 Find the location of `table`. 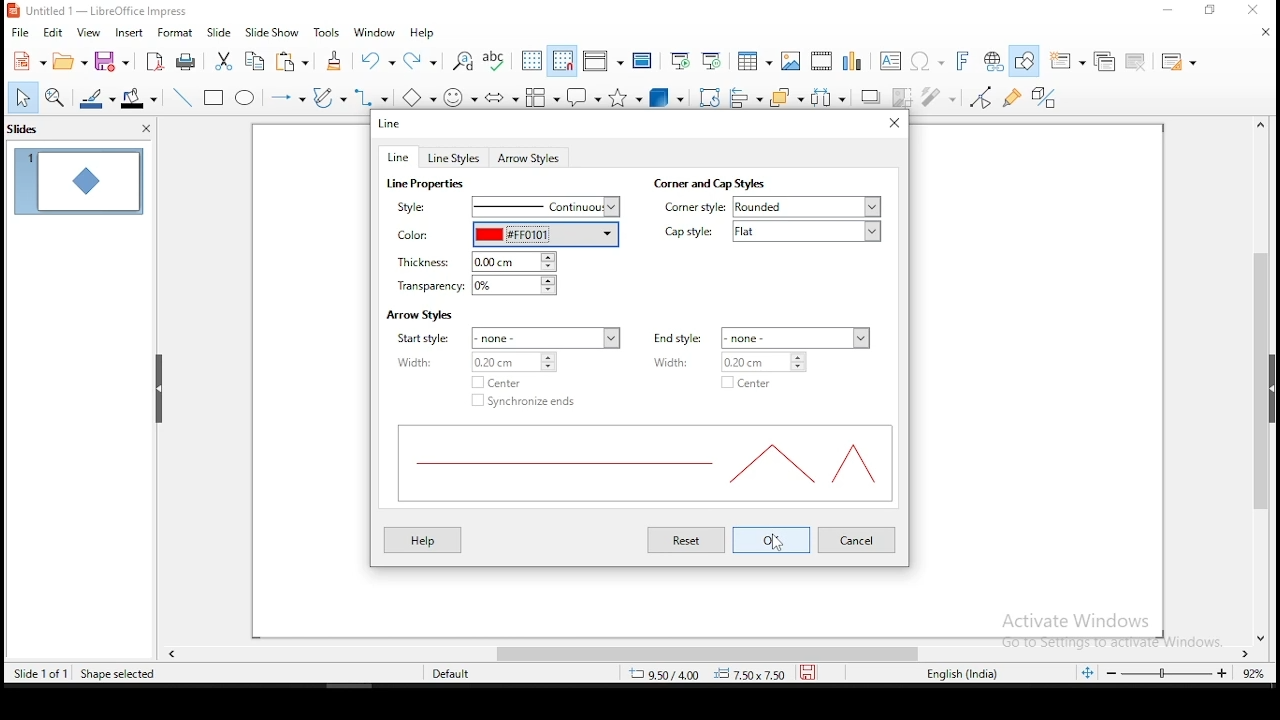

table is located at coordinates (755, 59).